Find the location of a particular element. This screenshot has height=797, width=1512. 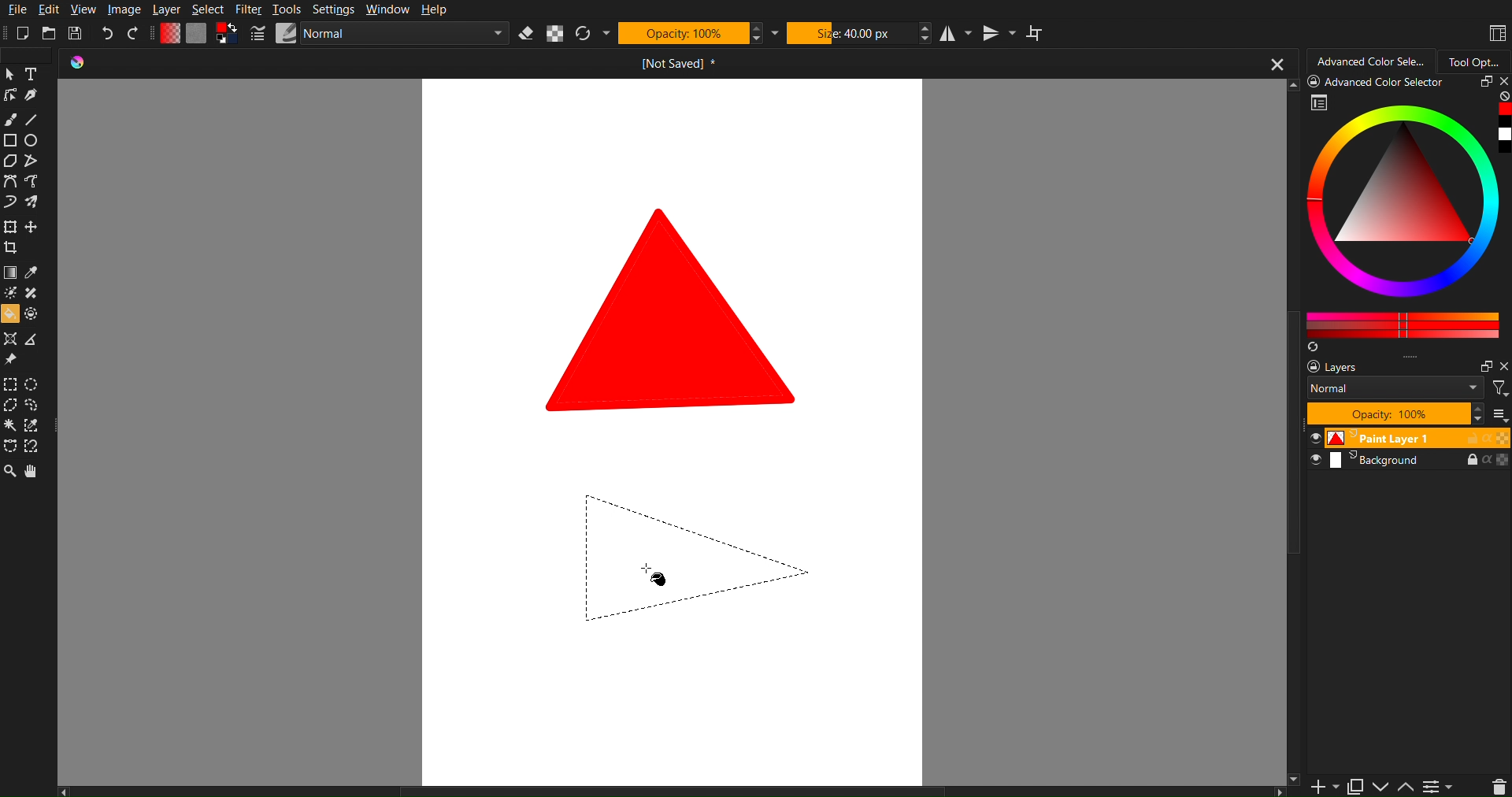

Line 3 is located at coordinates (721, 517).